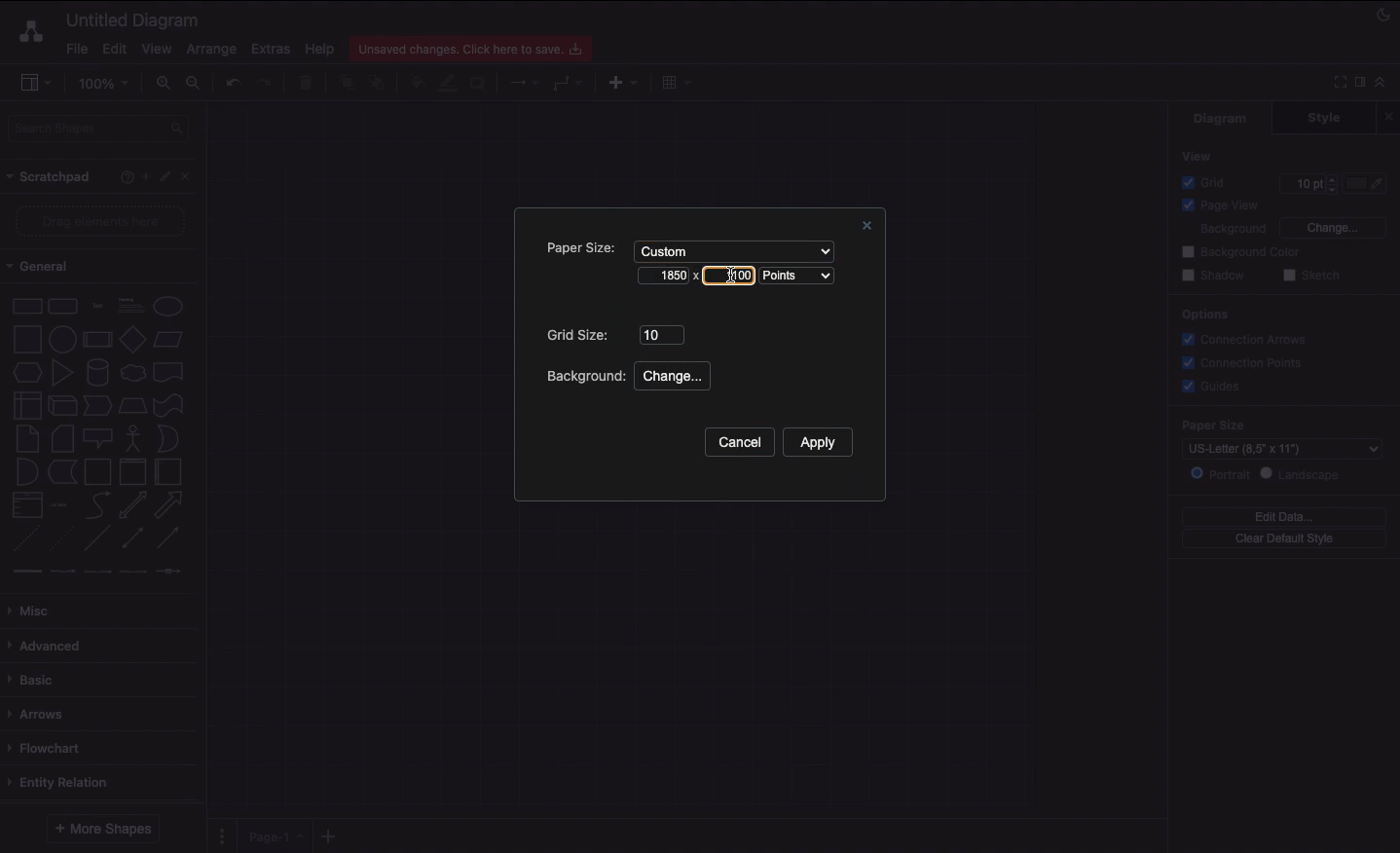  Describe the element at coordinates (1391, 116) in the screenshot. I see `Close` at that location.